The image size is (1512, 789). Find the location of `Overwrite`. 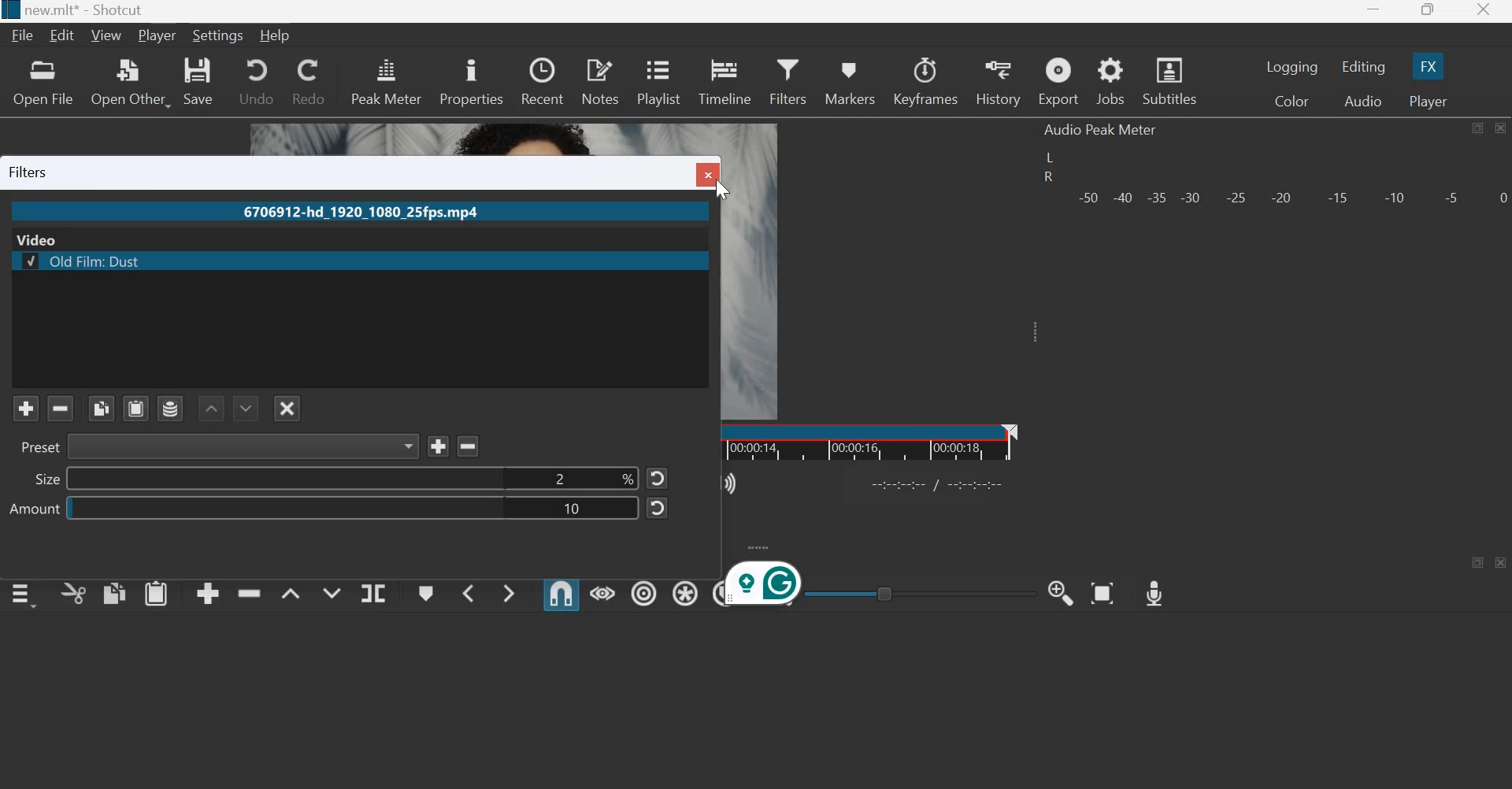

Overwrite is located at coordinates (329, 591).